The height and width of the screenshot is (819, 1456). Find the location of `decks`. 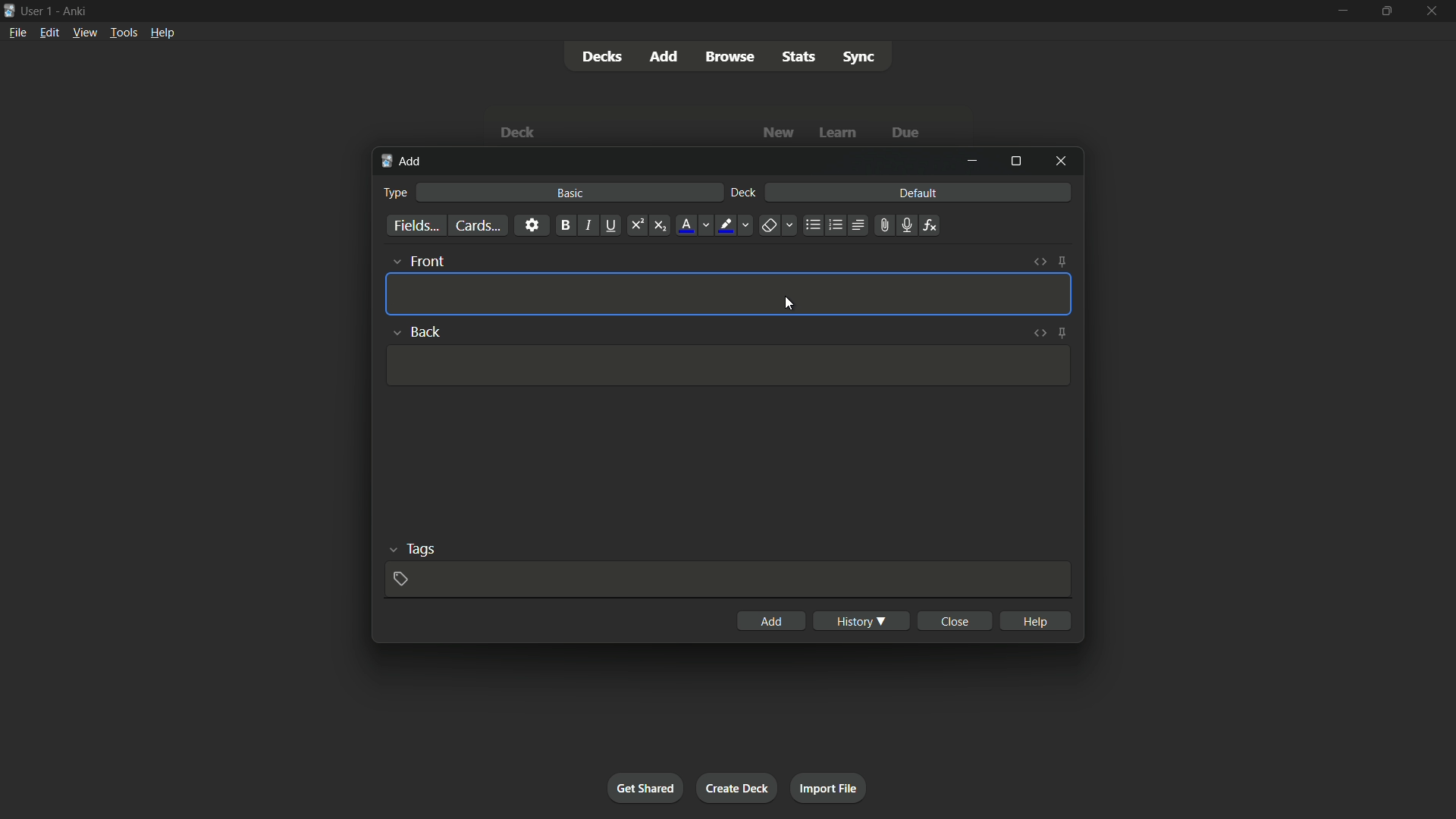

decks is located at coordinates (601, 57).